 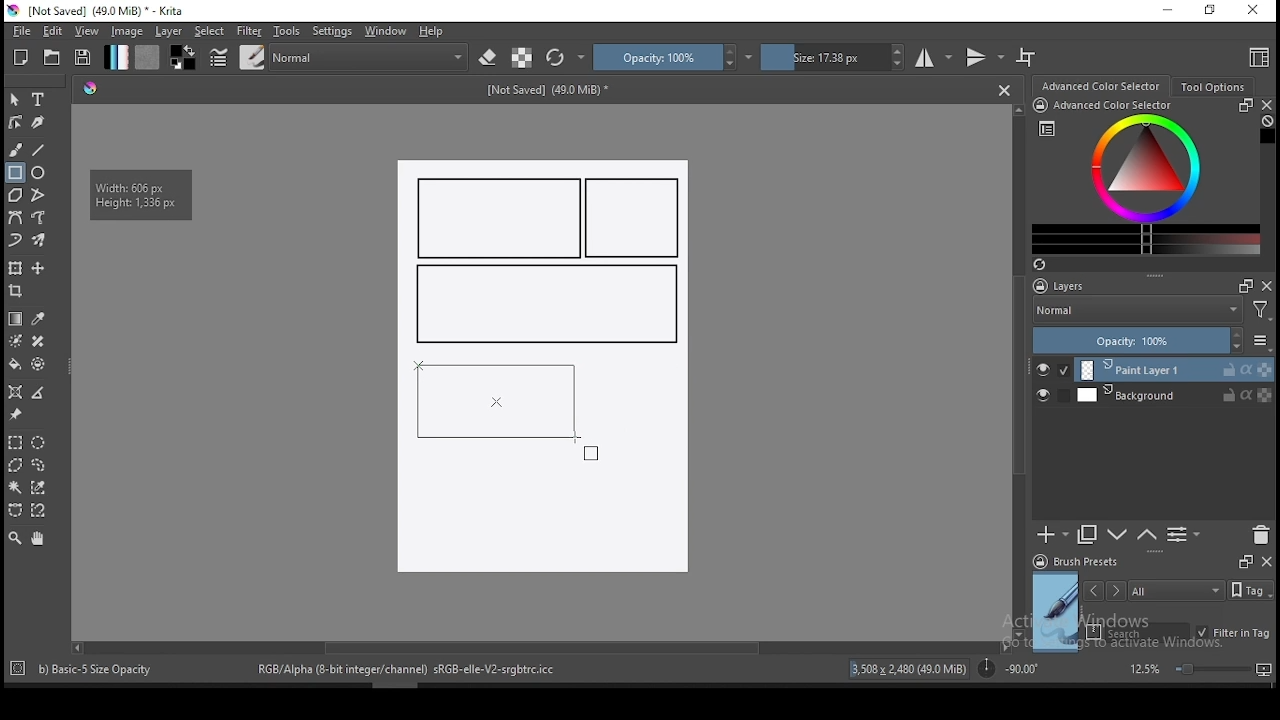 What do you see at coordinates (15, 511) in the screenshot?
I see `bezier curve selection tool` at bounding box center [15, 511].